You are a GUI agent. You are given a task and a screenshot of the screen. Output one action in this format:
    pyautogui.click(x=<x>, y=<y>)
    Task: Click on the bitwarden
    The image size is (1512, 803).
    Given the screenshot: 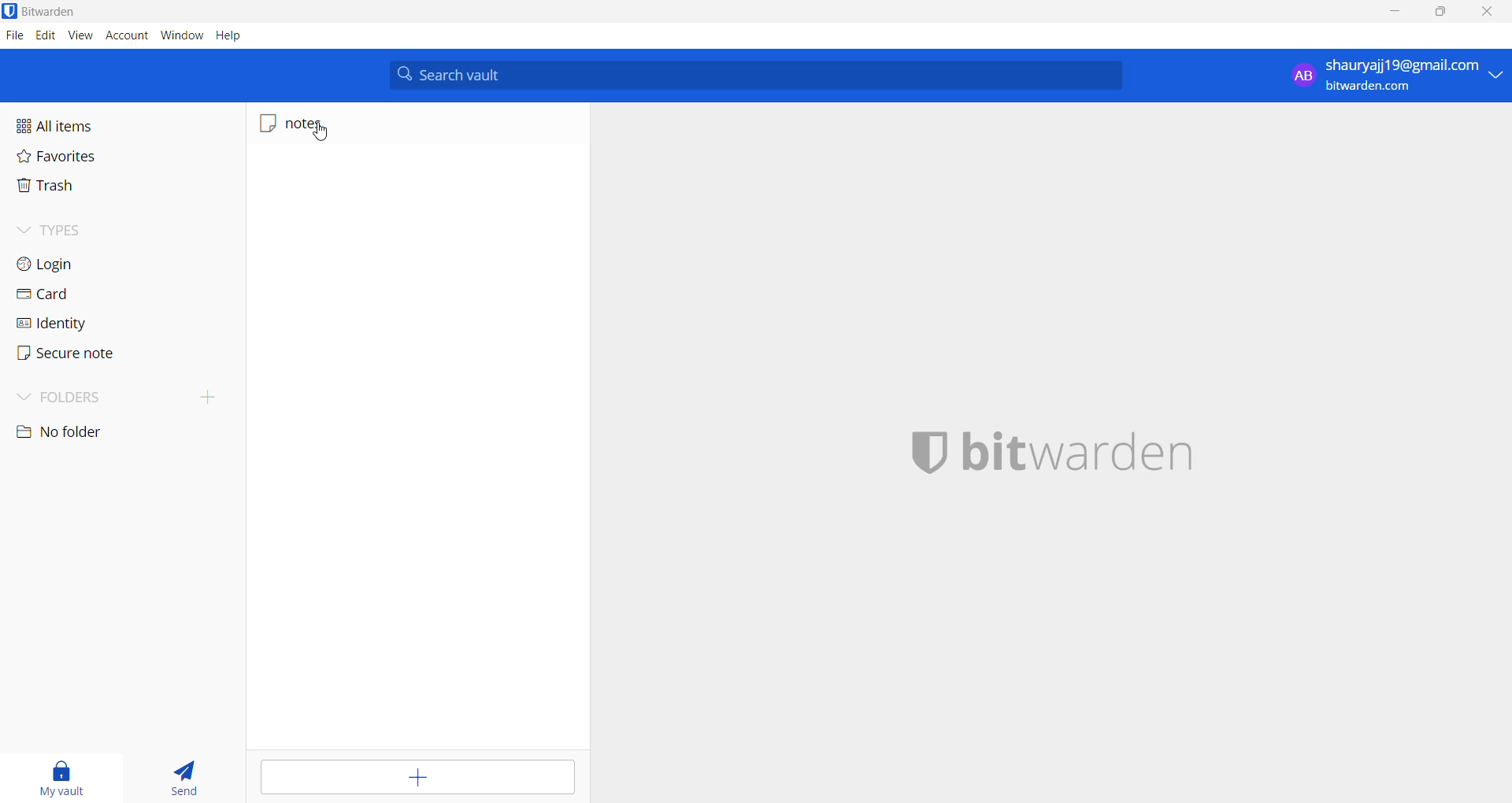 What is the action you would take?
    pyautogui.click(x=46, y=11)
    